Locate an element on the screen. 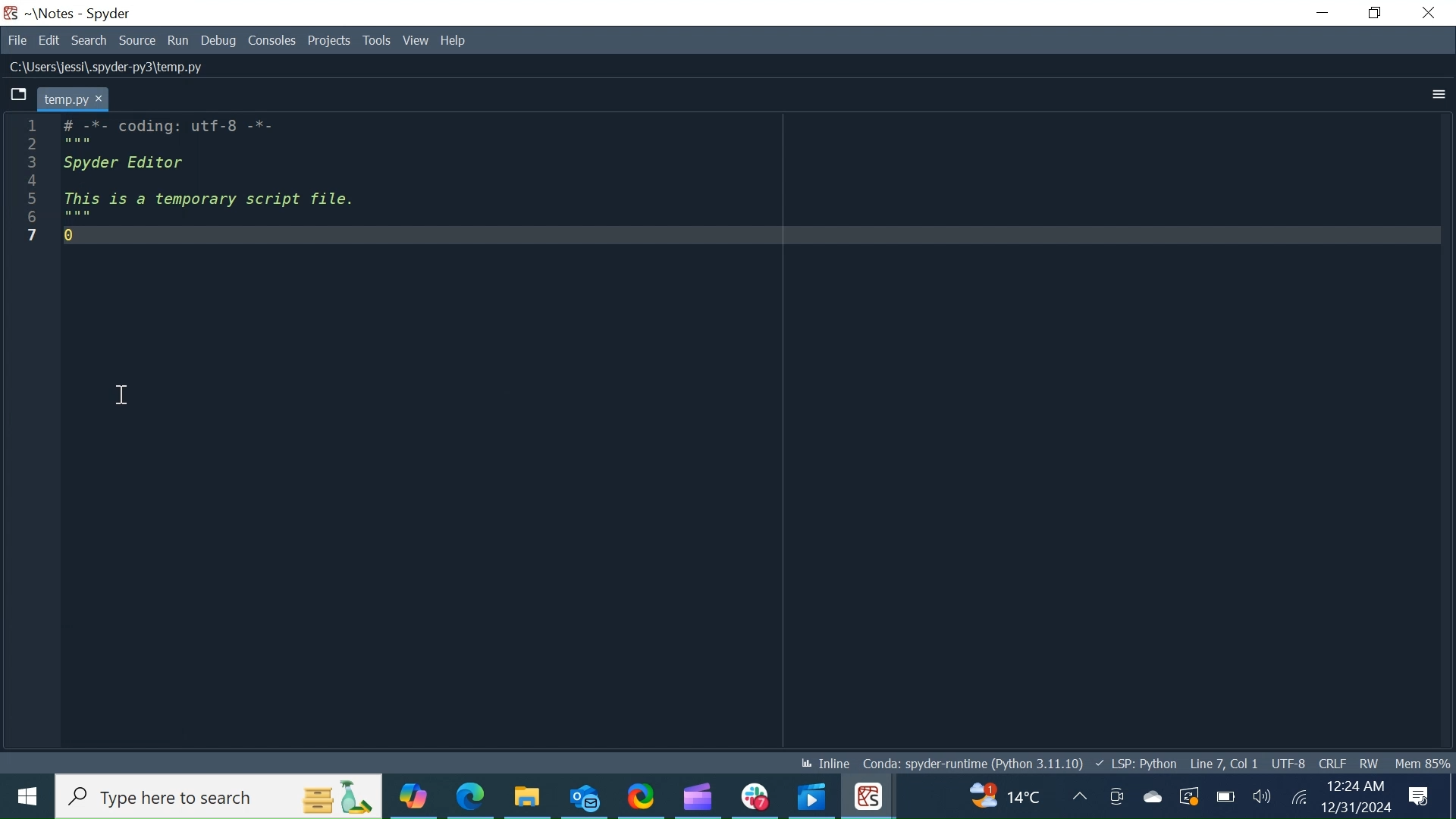 Image resolution: width=1456 pixels, height=819 pixels. Debug is located at coordinates (220, 42).